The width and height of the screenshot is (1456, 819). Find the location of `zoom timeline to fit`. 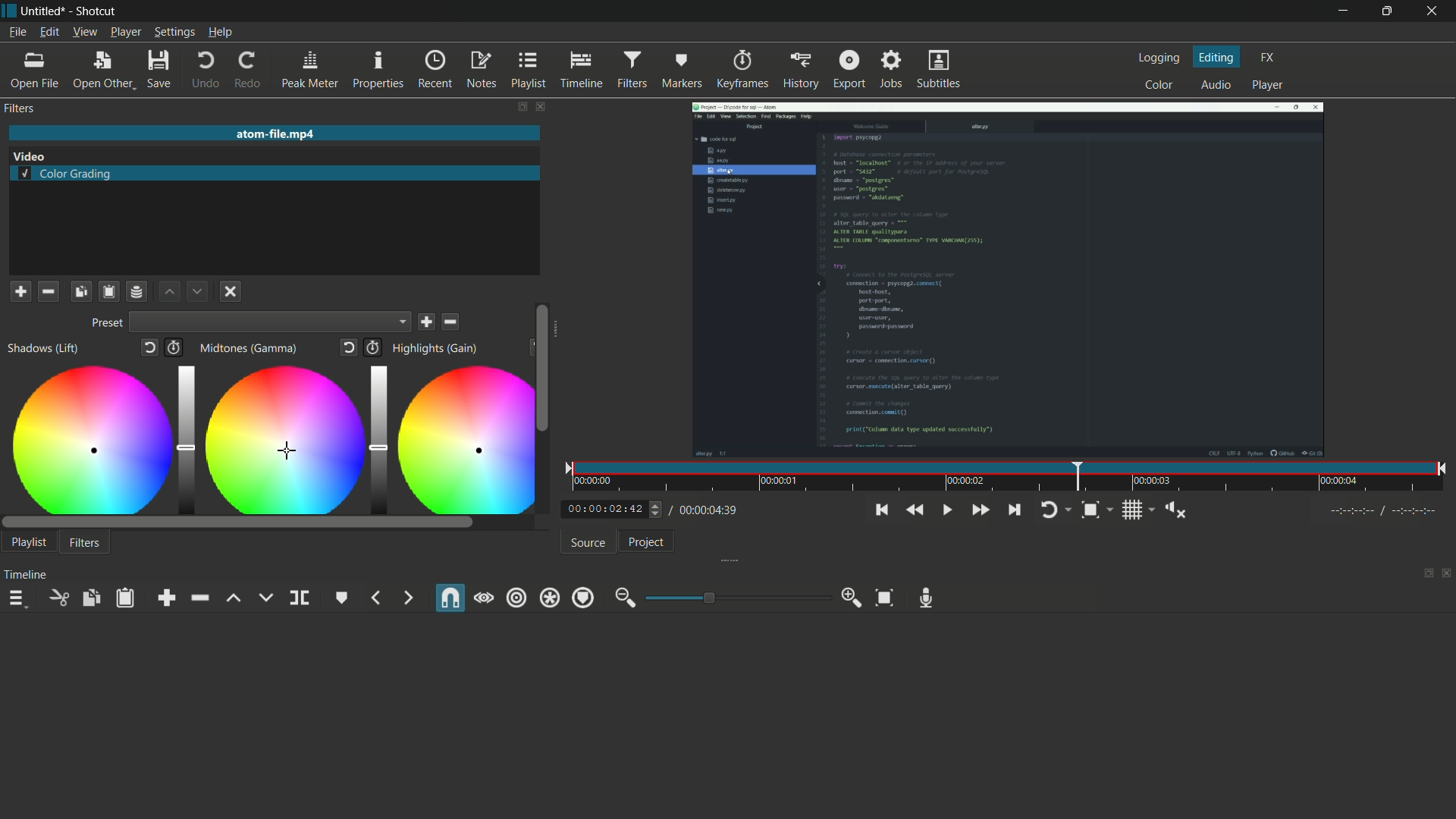

zoom timeline to fit is located at coordinates (884, 598).